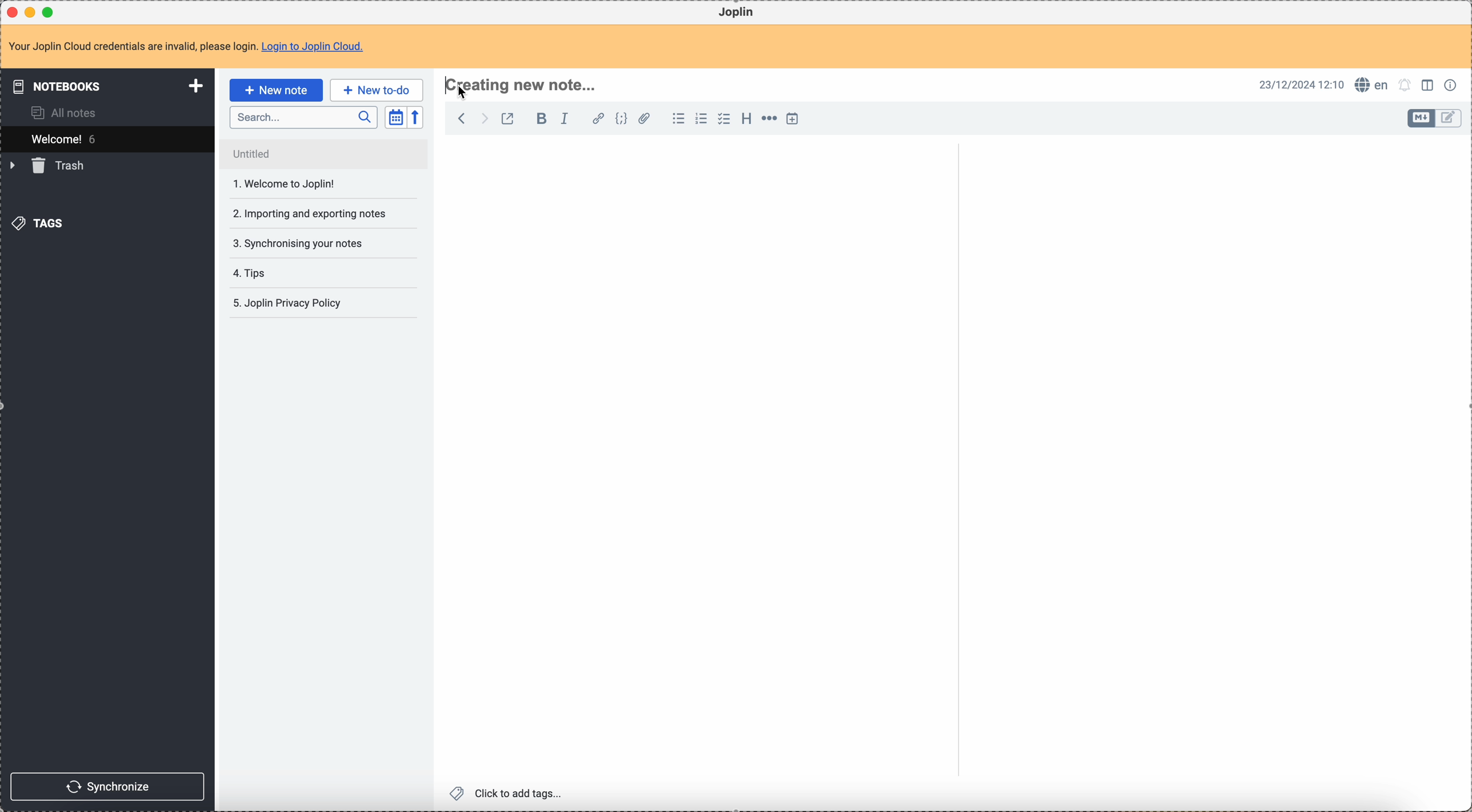  What do you see at coordinates (186, 47) in the screenshot?
I see `note` at bounding box center [186, 47].